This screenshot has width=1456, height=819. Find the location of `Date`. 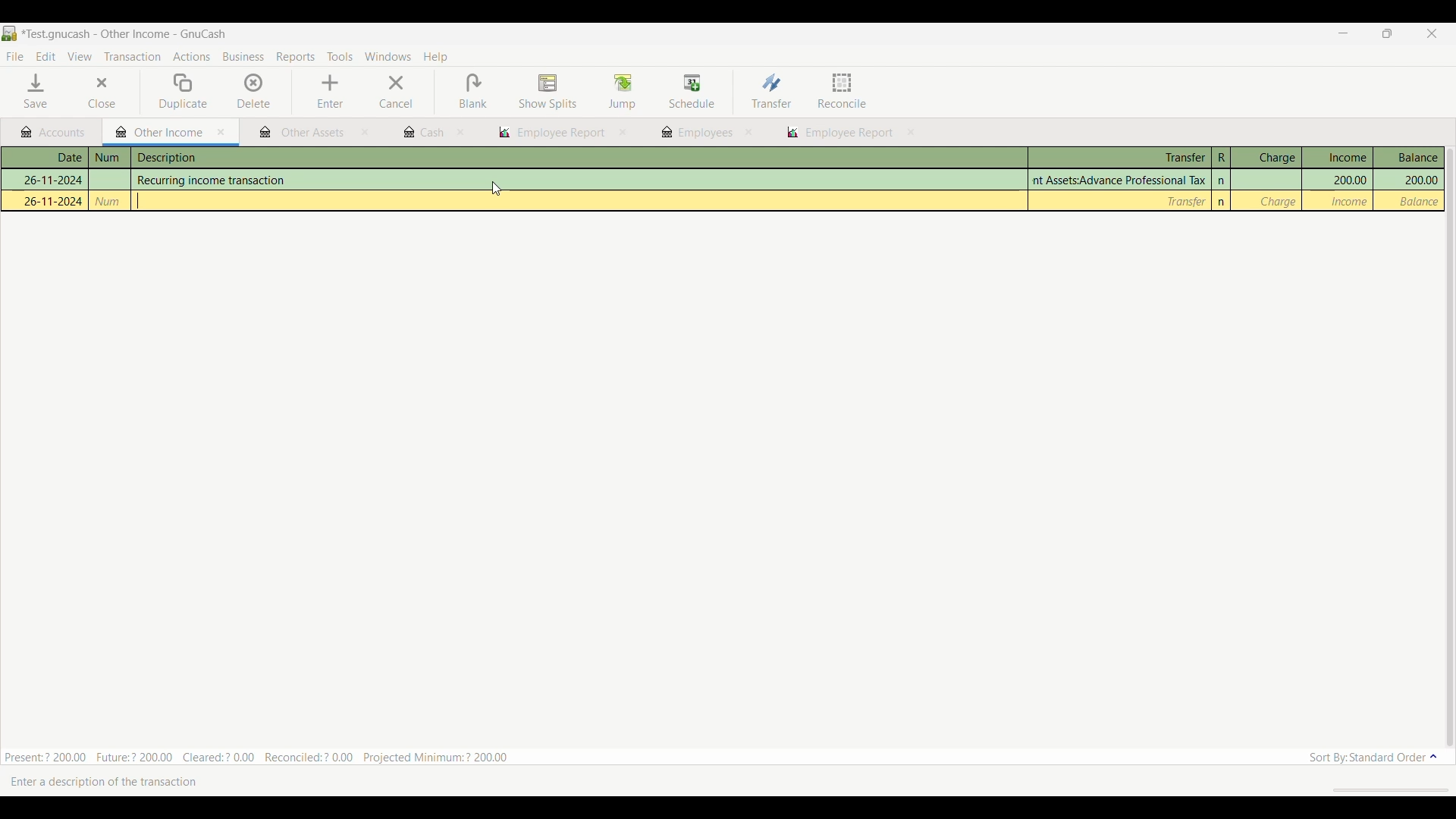

Date is located at coordinates (53, 158).